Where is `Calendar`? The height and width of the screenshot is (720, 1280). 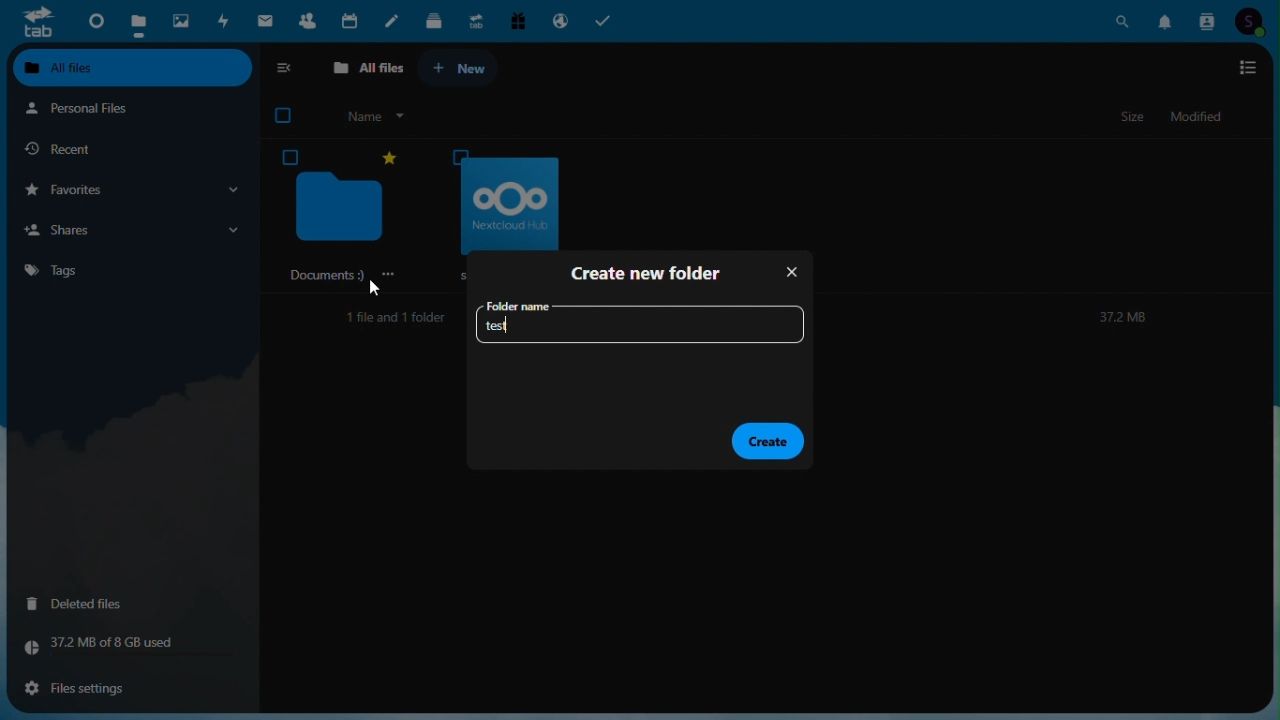
Calendar is located at coordinates (352, 19).